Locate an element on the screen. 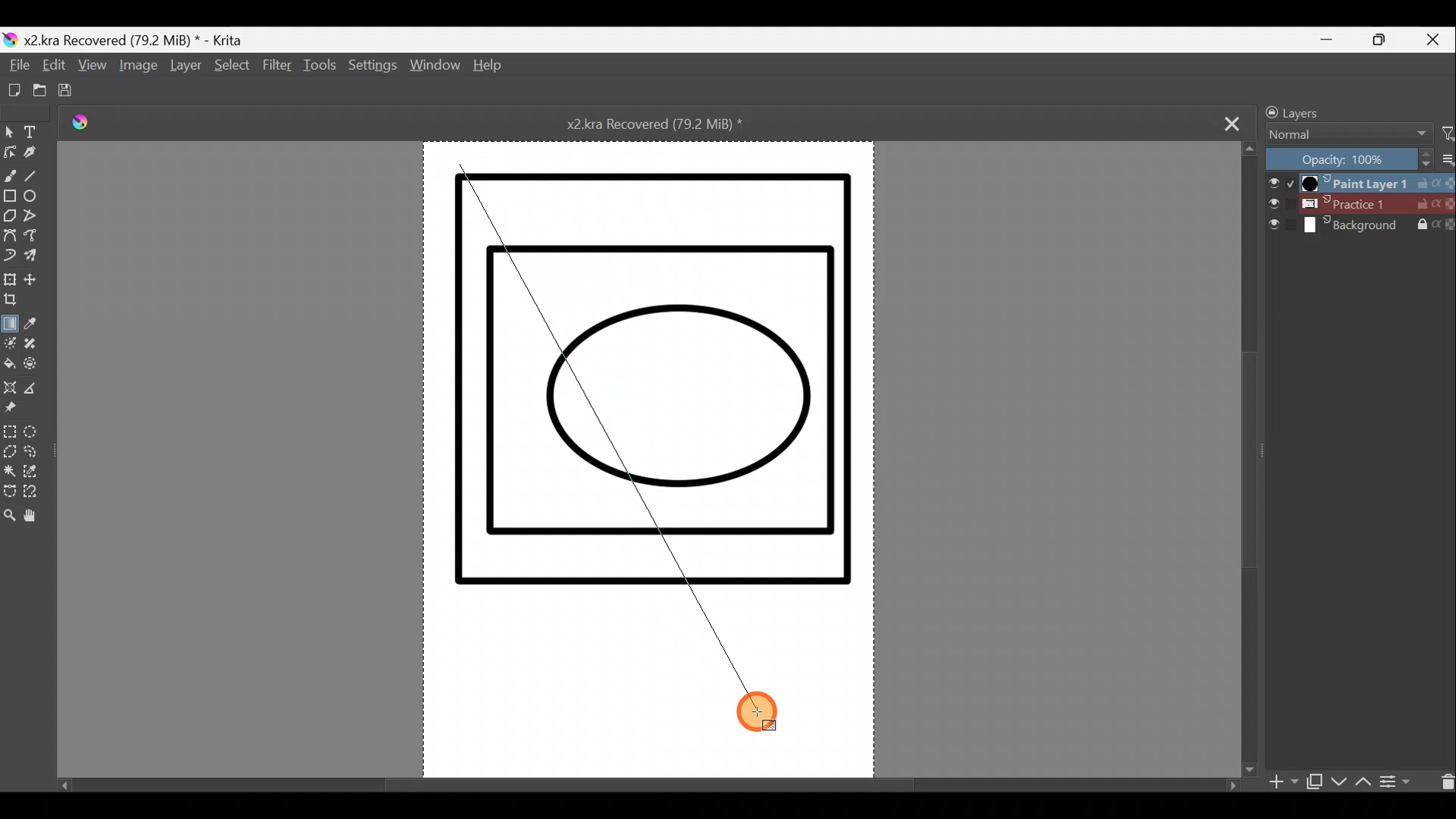  Sample a colour from the image/current layer is located at coordinates (34, 324).